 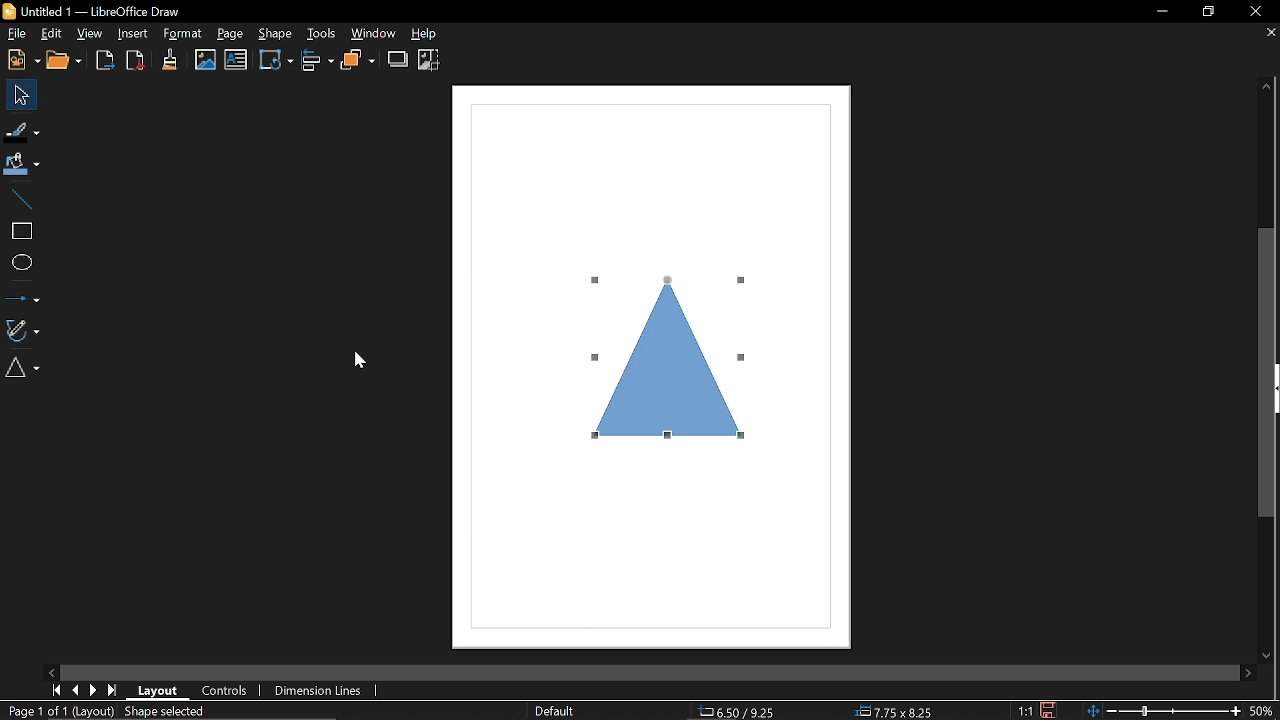 I want to click on Insert image, so click(x=236, y=60).